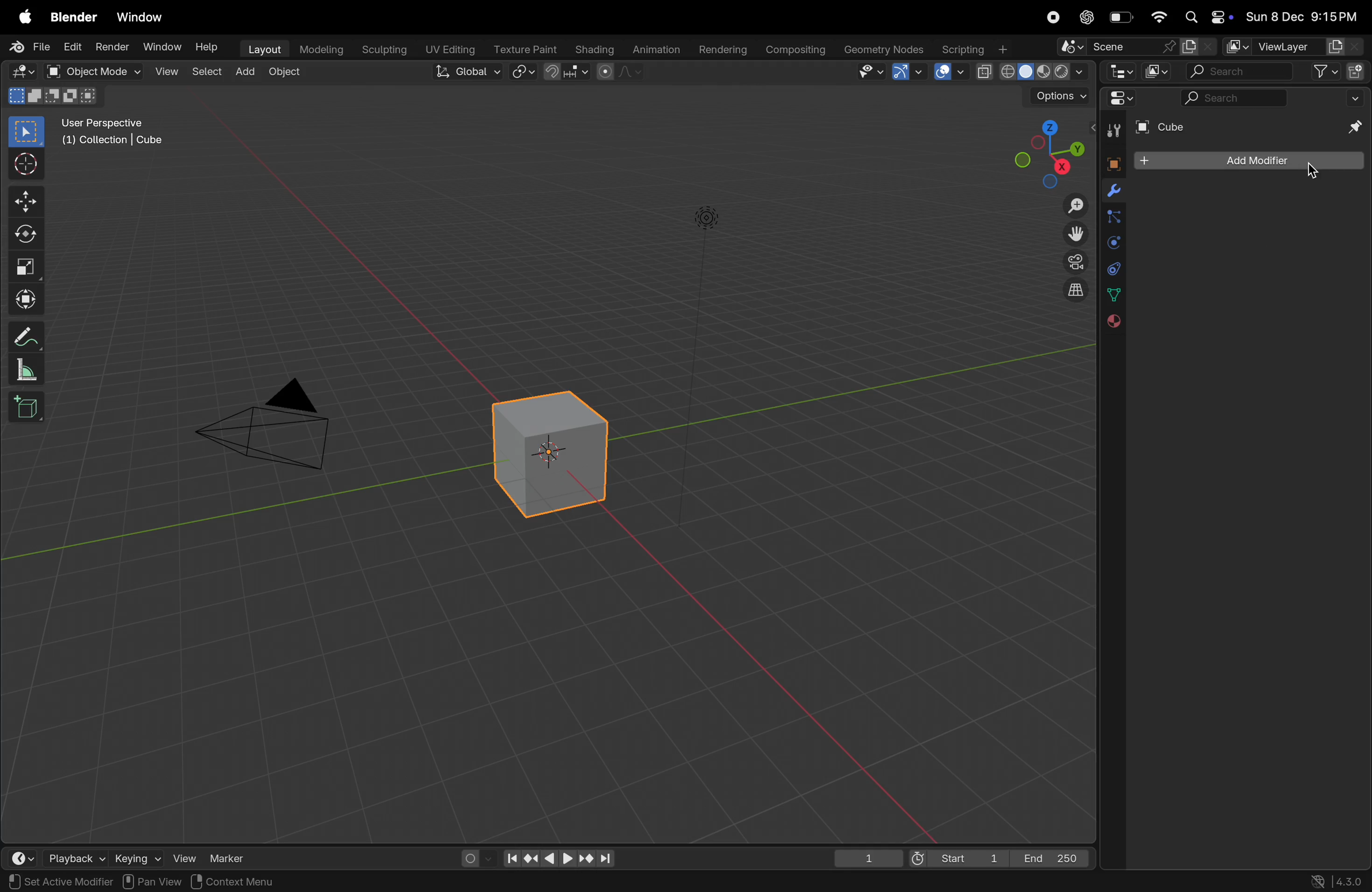 This screenshot has width=1372, height=892. Describe the element at coordinates (24, 858) in the screenshot. I see `editor type` at that location.